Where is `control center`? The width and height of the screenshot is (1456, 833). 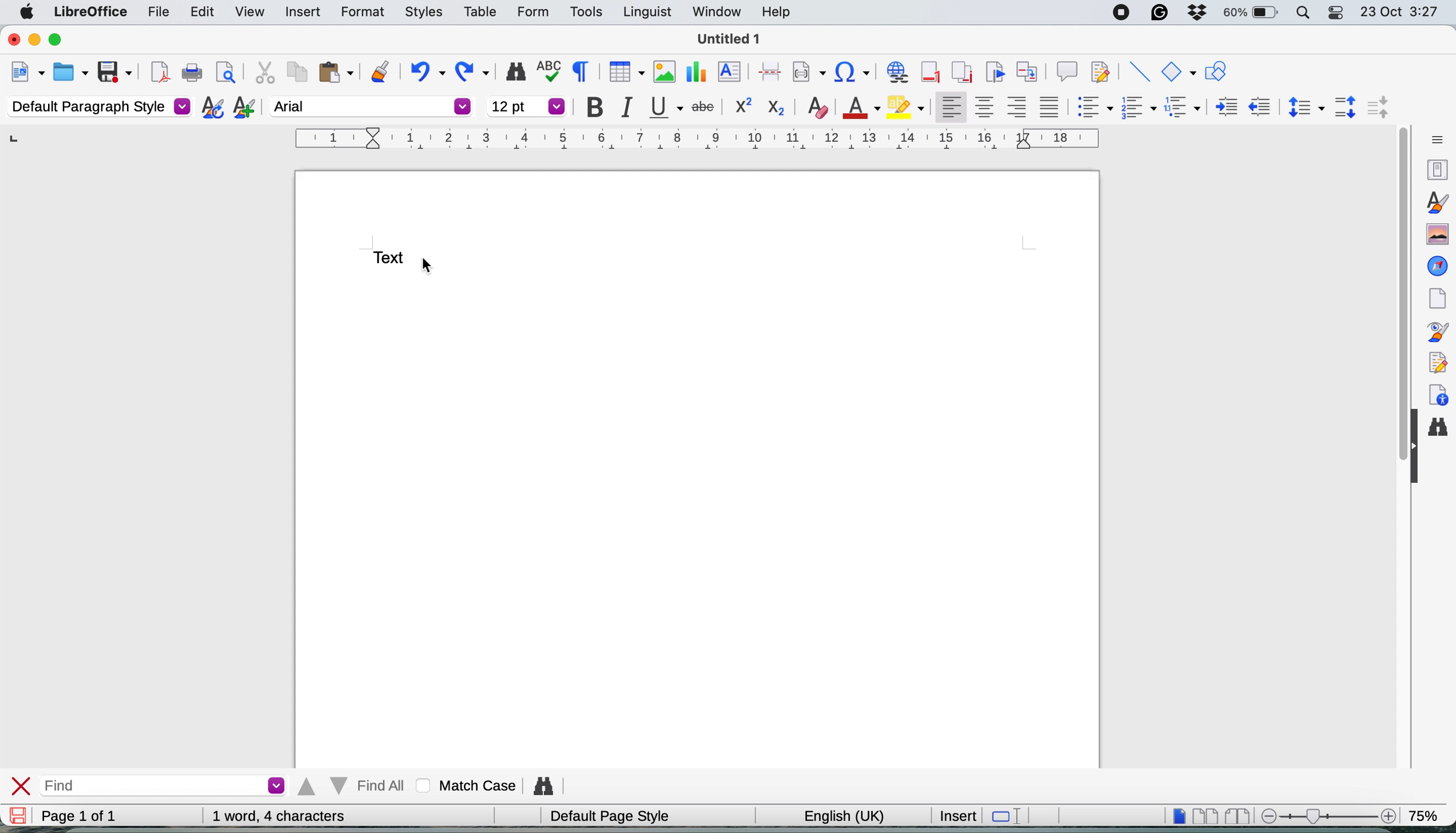
control center is located at coordinates (1338, 14).